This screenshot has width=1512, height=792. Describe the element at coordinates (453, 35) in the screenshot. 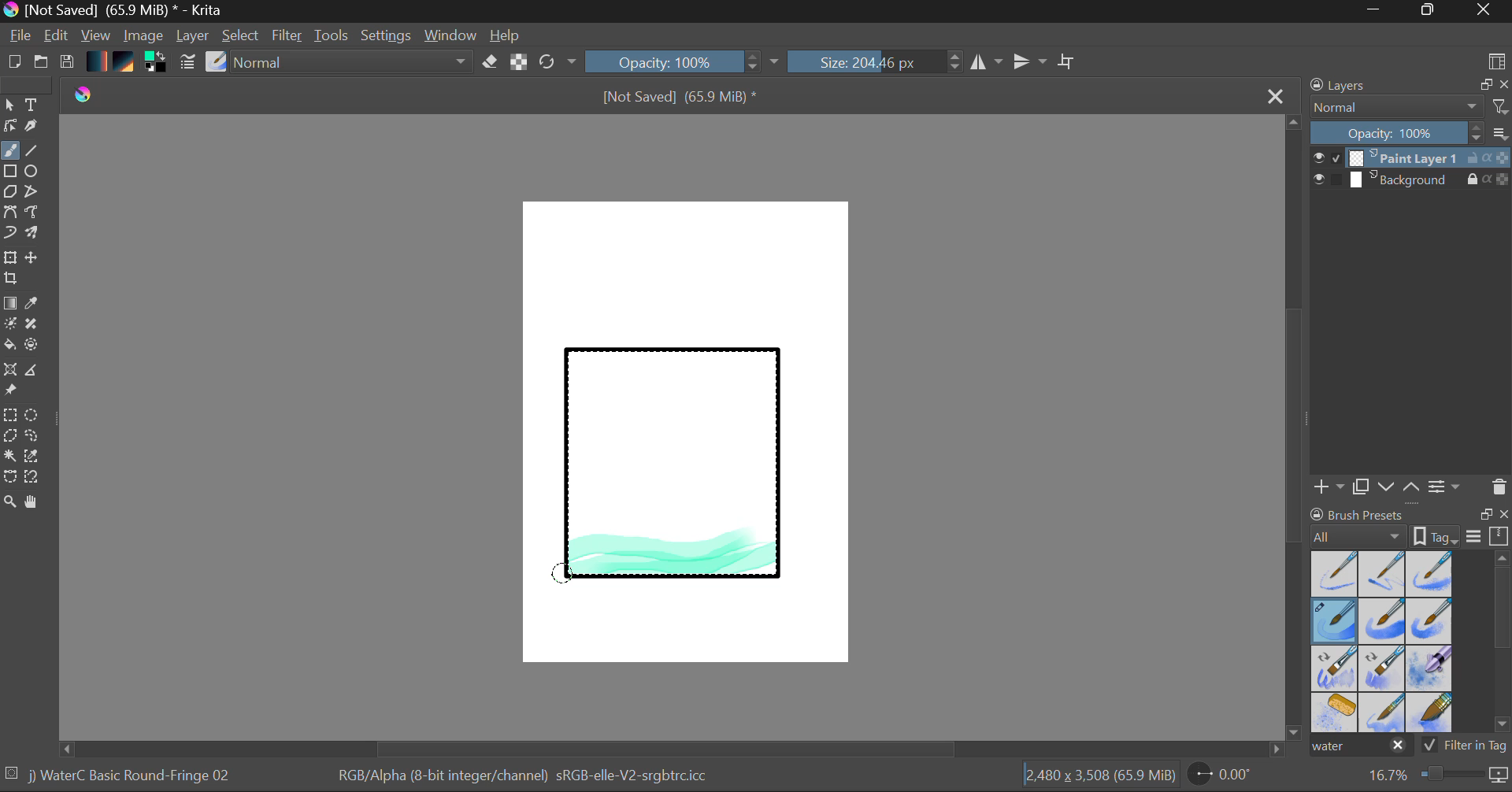

I see `Window` at that location.